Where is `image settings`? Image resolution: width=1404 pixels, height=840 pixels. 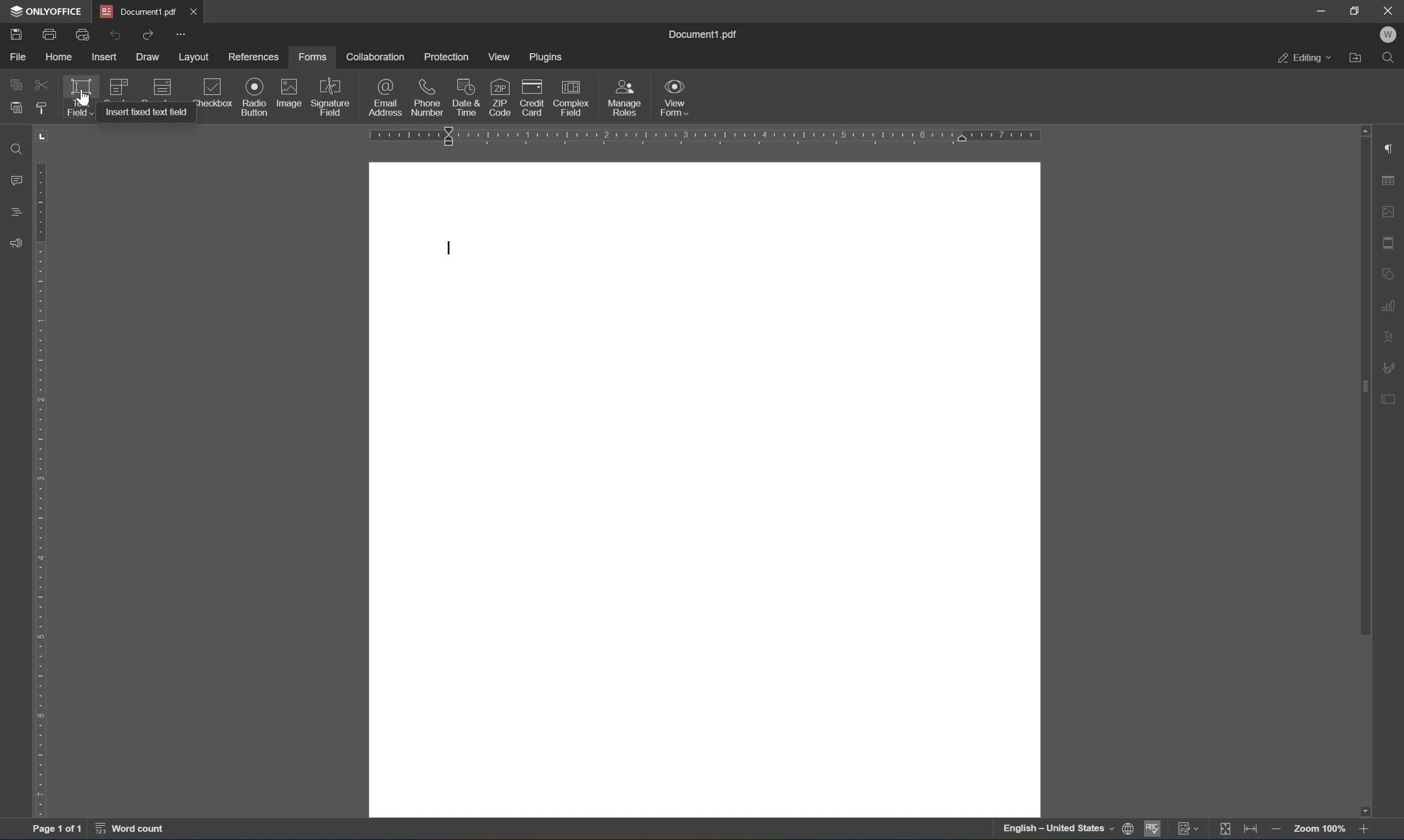
image settings is located at coordinates (1393, 215).